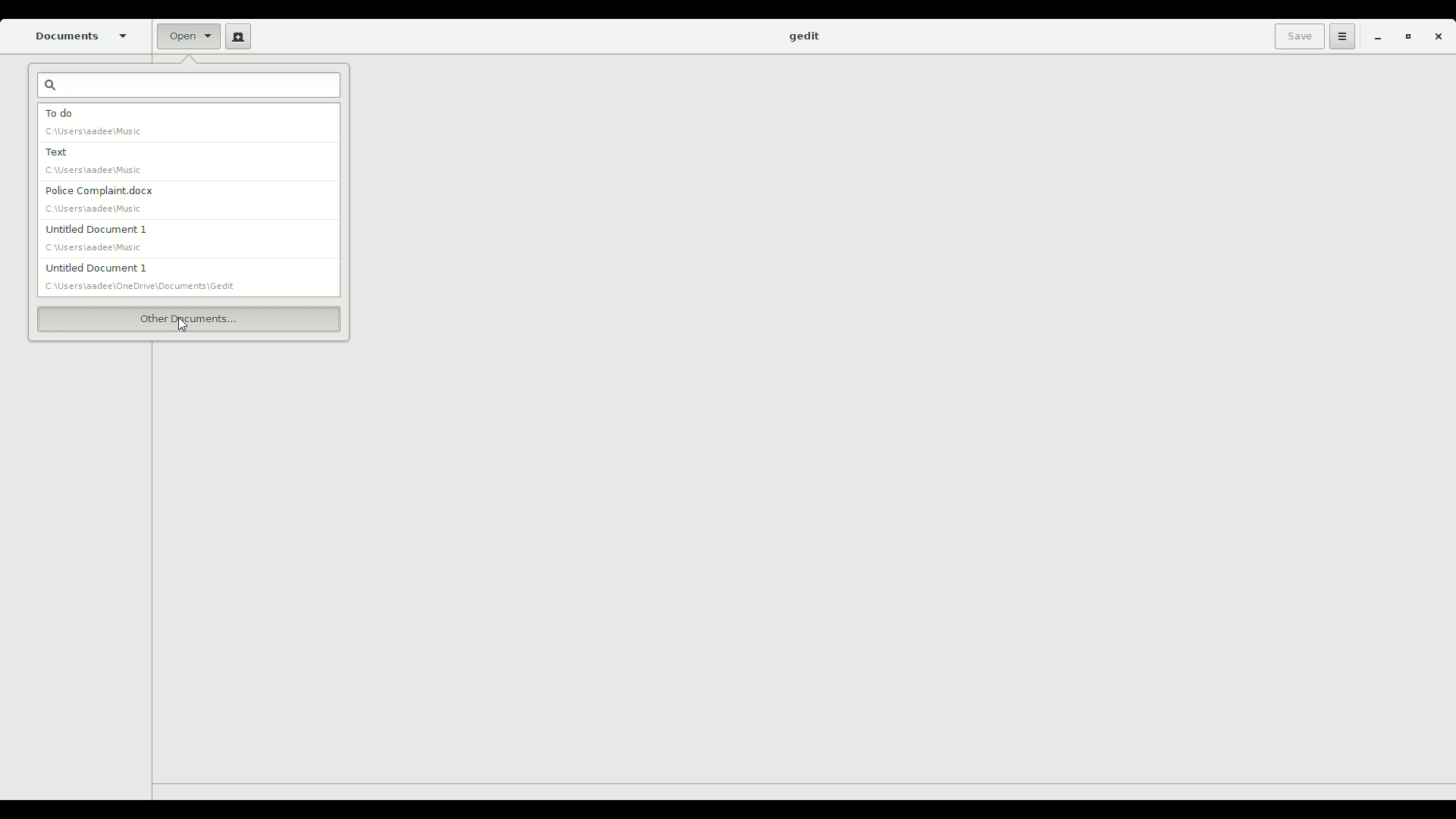  What do you see at coordinates (1340, 36) in the screenshot?
I see `Options` at bounding box center [1340, 36].